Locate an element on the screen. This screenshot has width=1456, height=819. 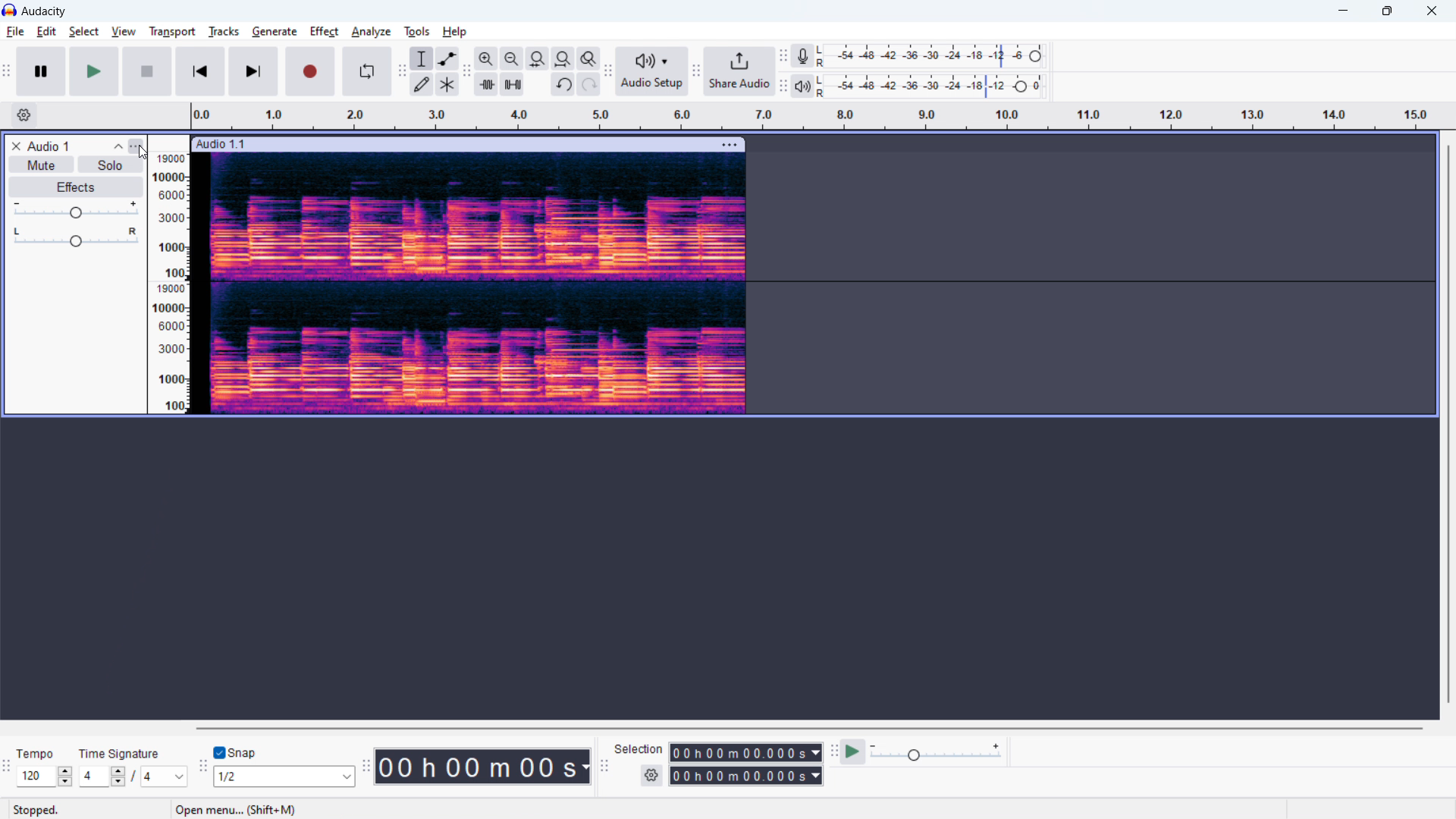
timeline settings is located at coordinates (23, 115).